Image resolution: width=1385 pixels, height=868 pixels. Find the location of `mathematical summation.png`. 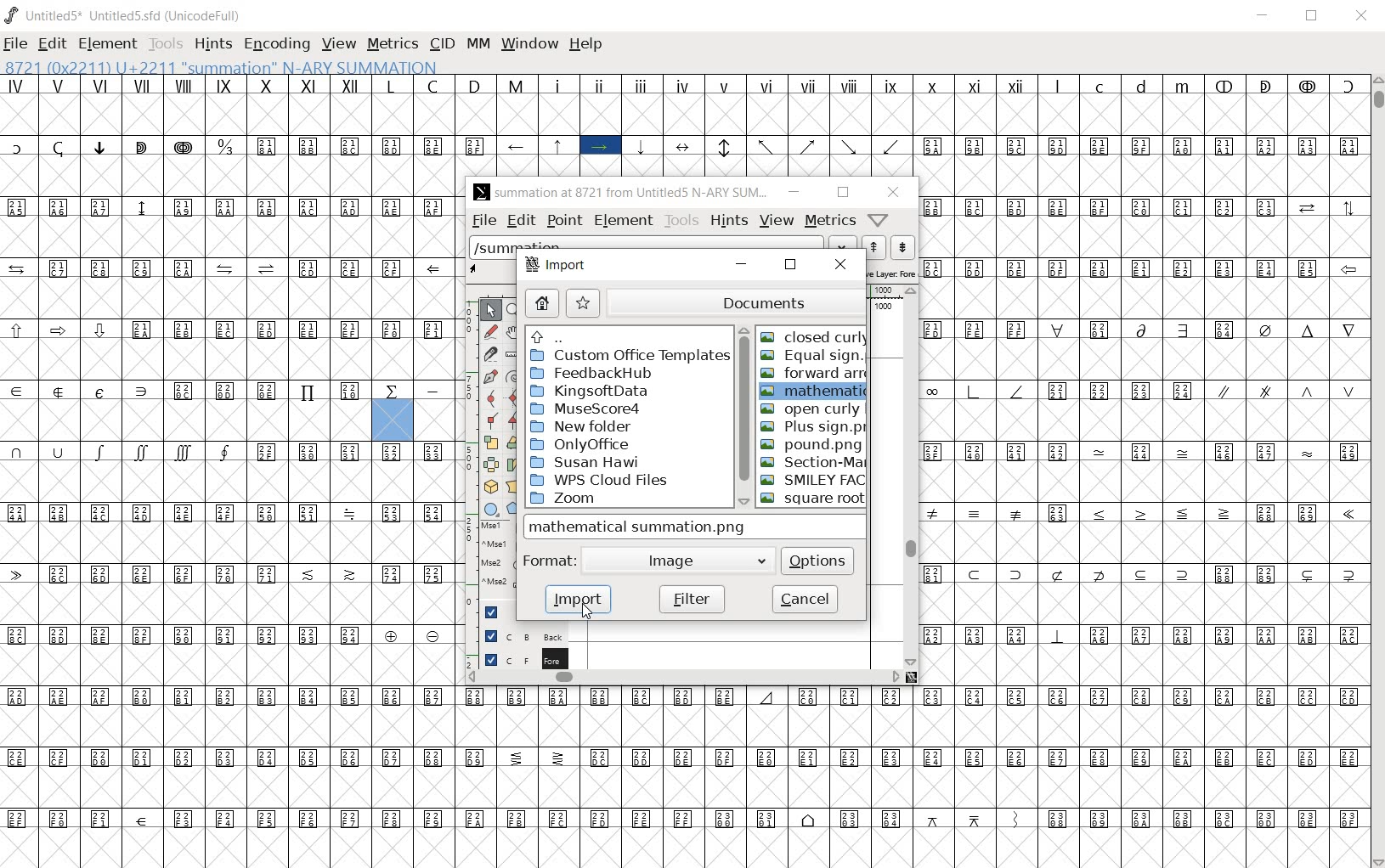

mathematical summation.png is located at coordinates (651, 525).